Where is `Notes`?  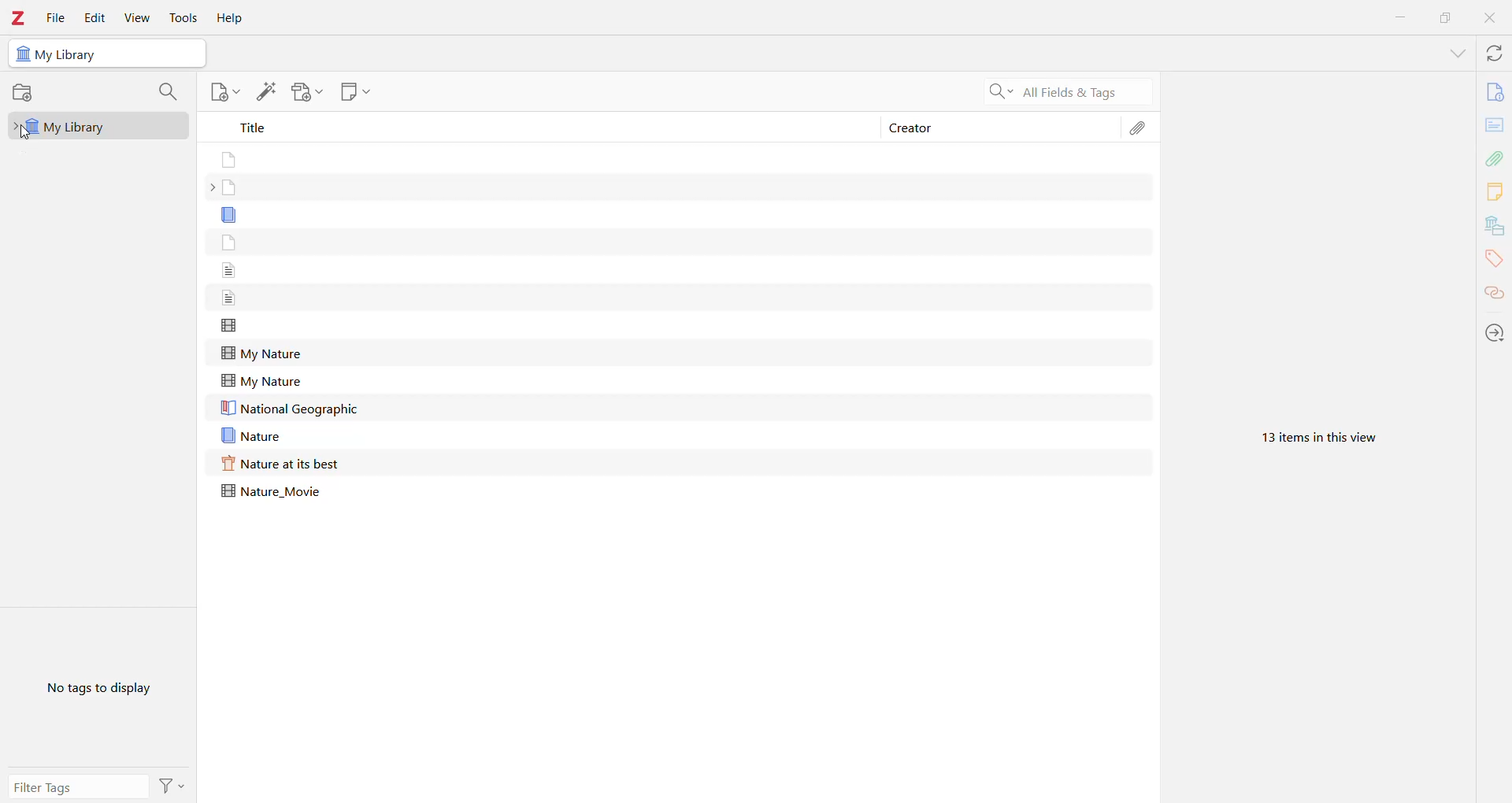 Notes is located at coordinates (1494, 193).